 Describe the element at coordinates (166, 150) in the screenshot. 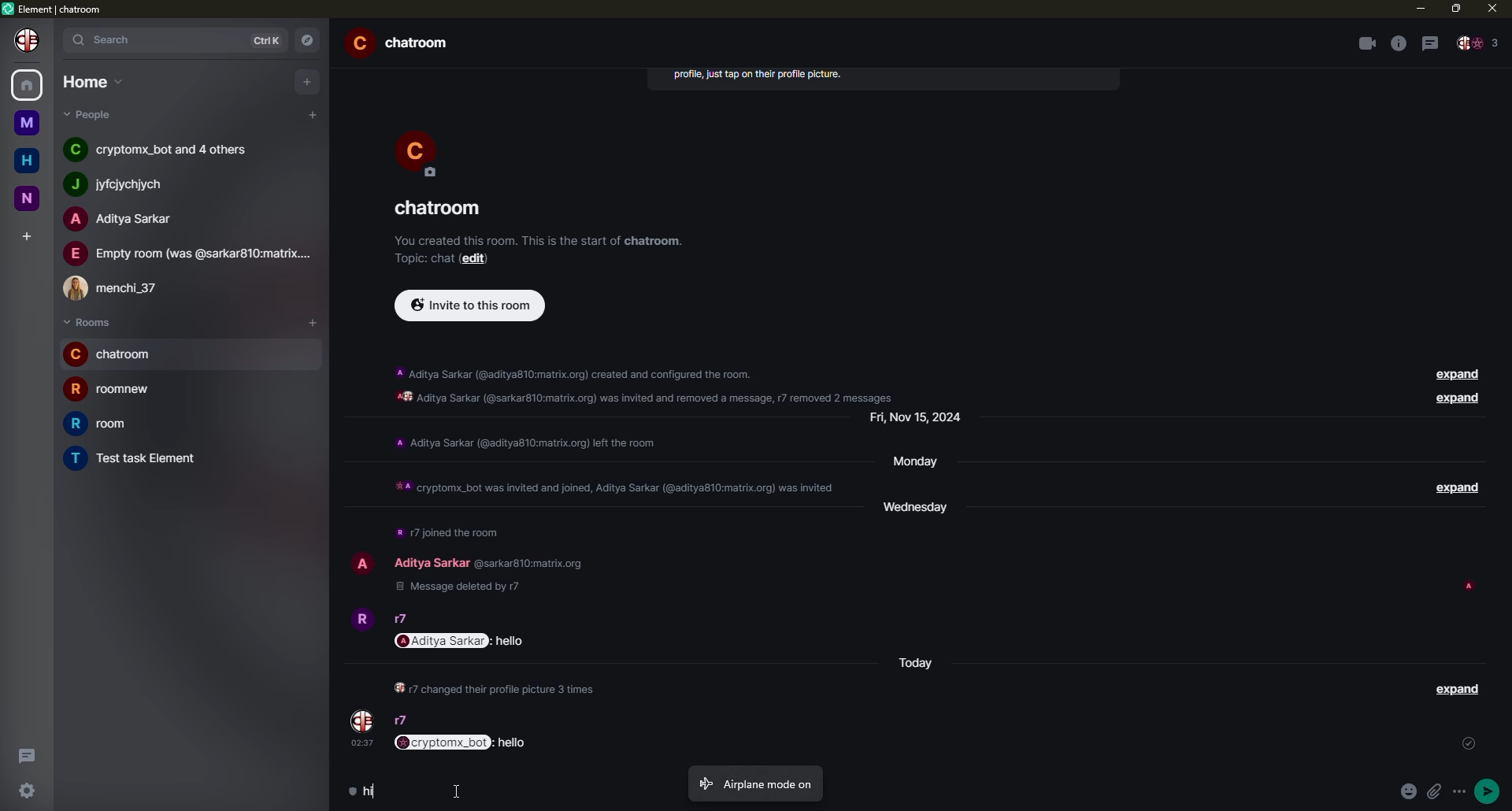

I see `people` at that location.